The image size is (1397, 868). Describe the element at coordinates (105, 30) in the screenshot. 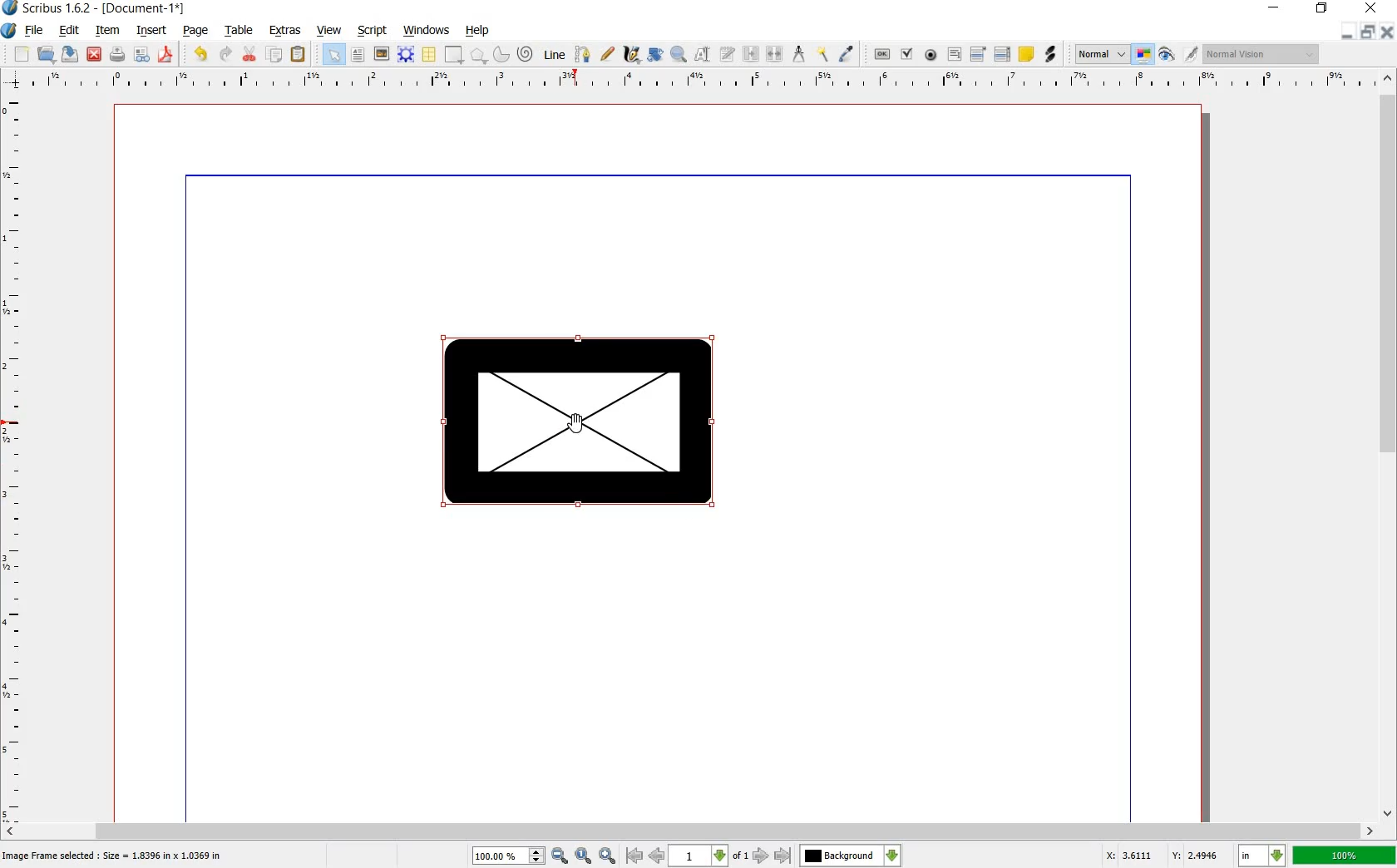

I see `item` at that location.